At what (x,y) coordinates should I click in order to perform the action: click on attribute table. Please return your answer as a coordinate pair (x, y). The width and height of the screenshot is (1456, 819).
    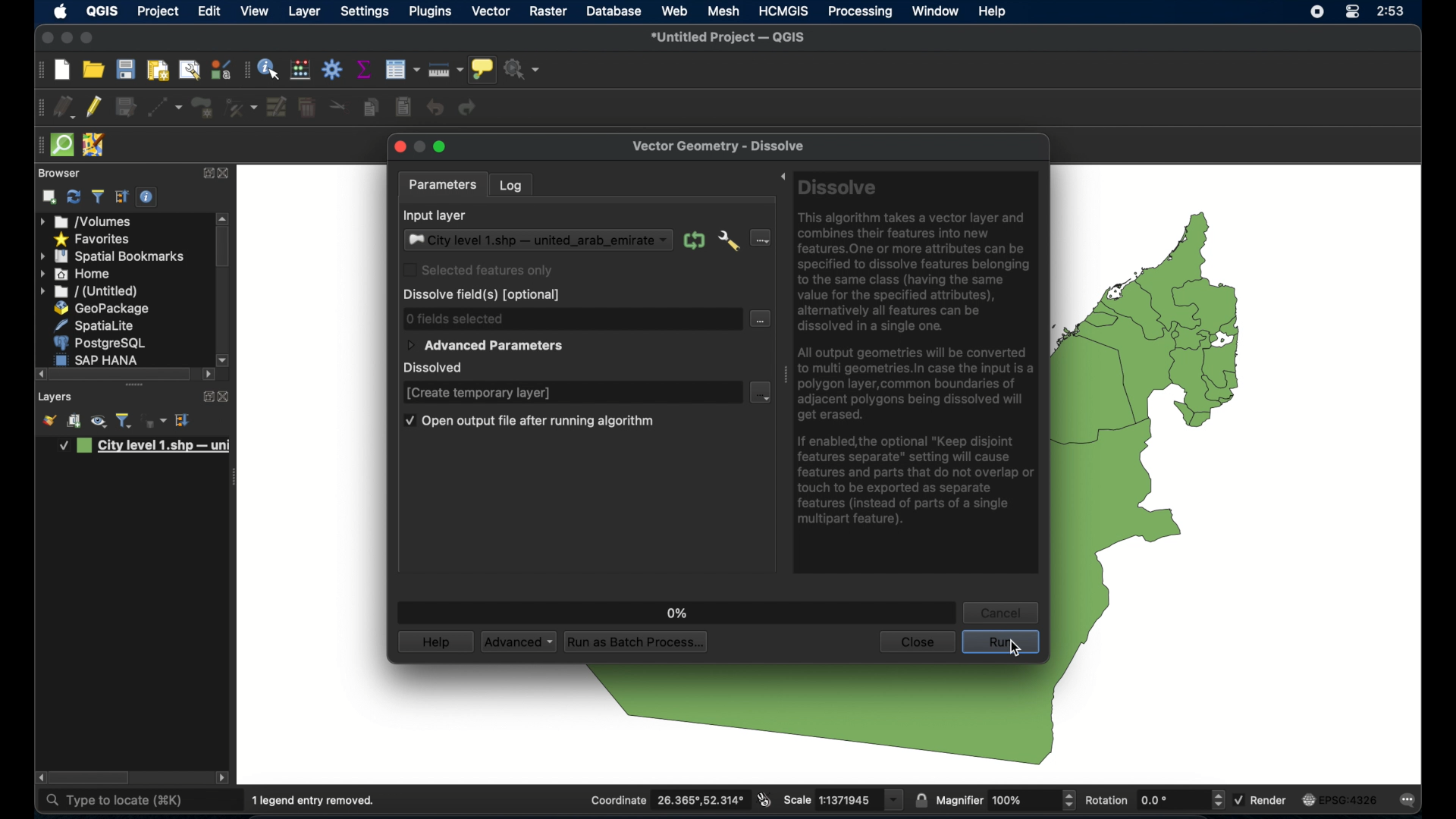
    Looking at the image, I should click on (246, 71).